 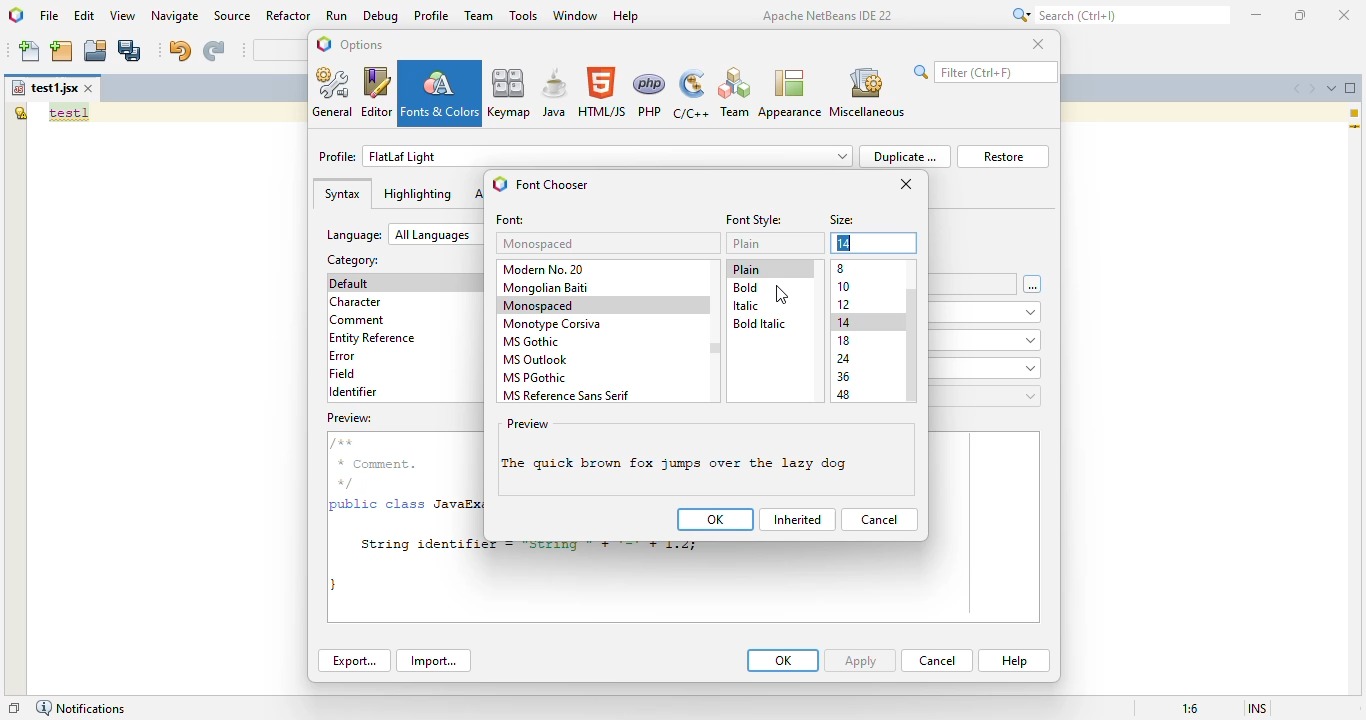 What do you see at coordinates (913, 346) in the screenshot?
I see `vertical scroll bar` at bounding box center [913, 346].